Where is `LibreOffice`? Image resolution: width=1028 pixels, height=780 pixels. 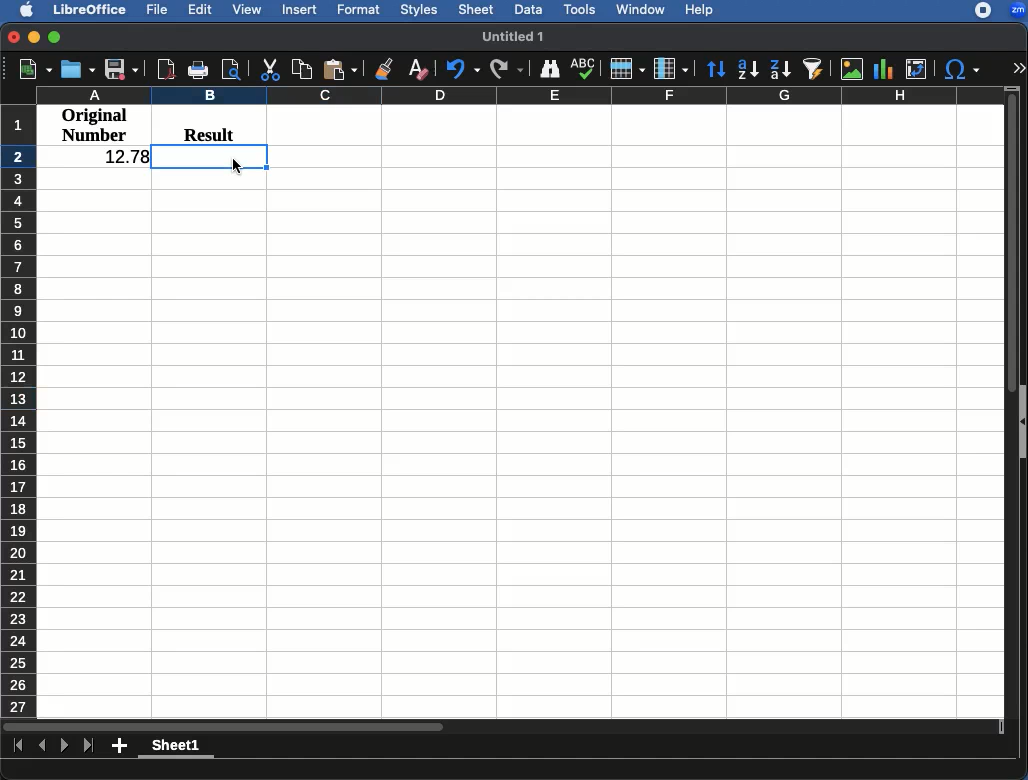
LibreOffice is located at coordinates (91, 10).